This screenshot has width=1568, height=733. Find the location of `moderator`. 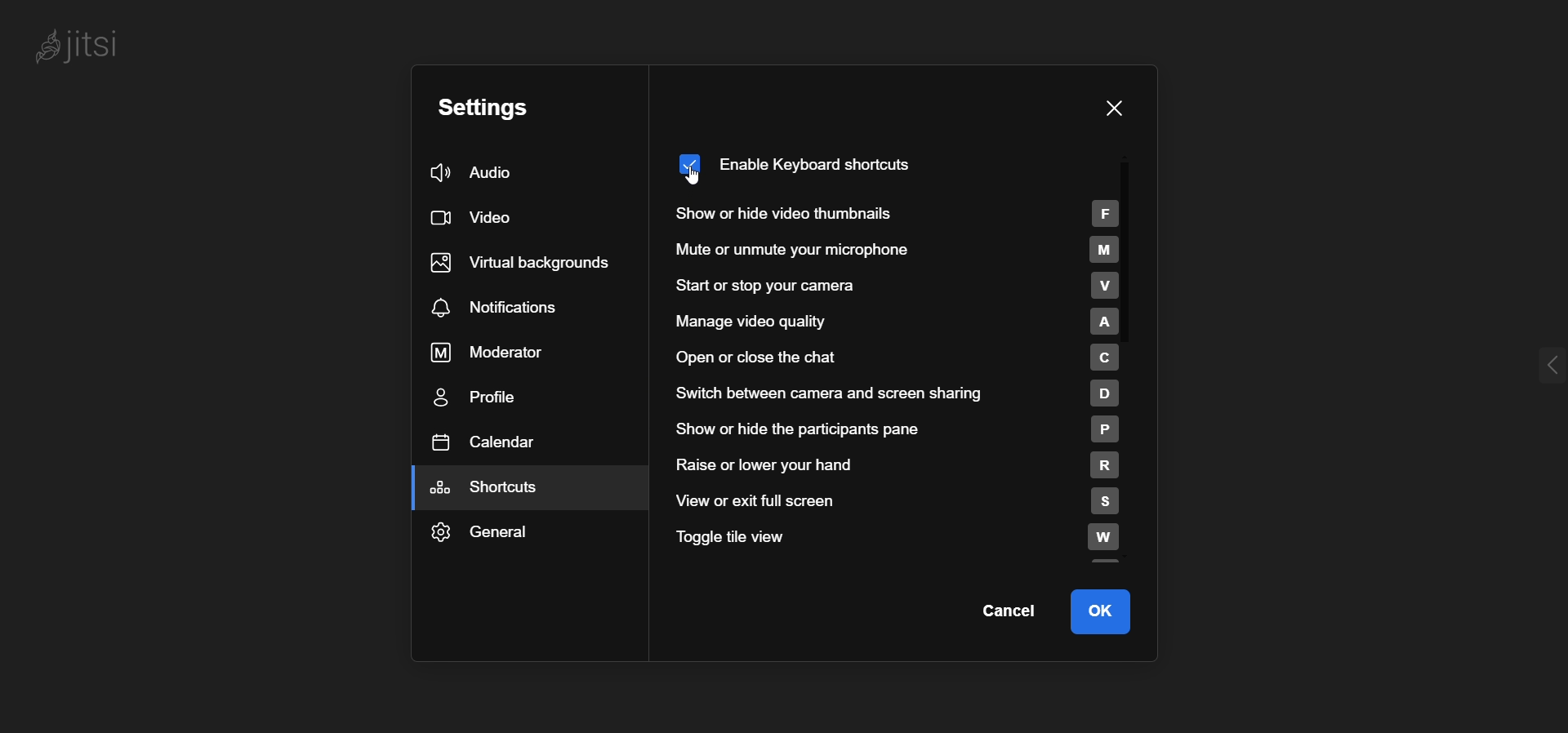

moderator is located at coordinates (496, 351).